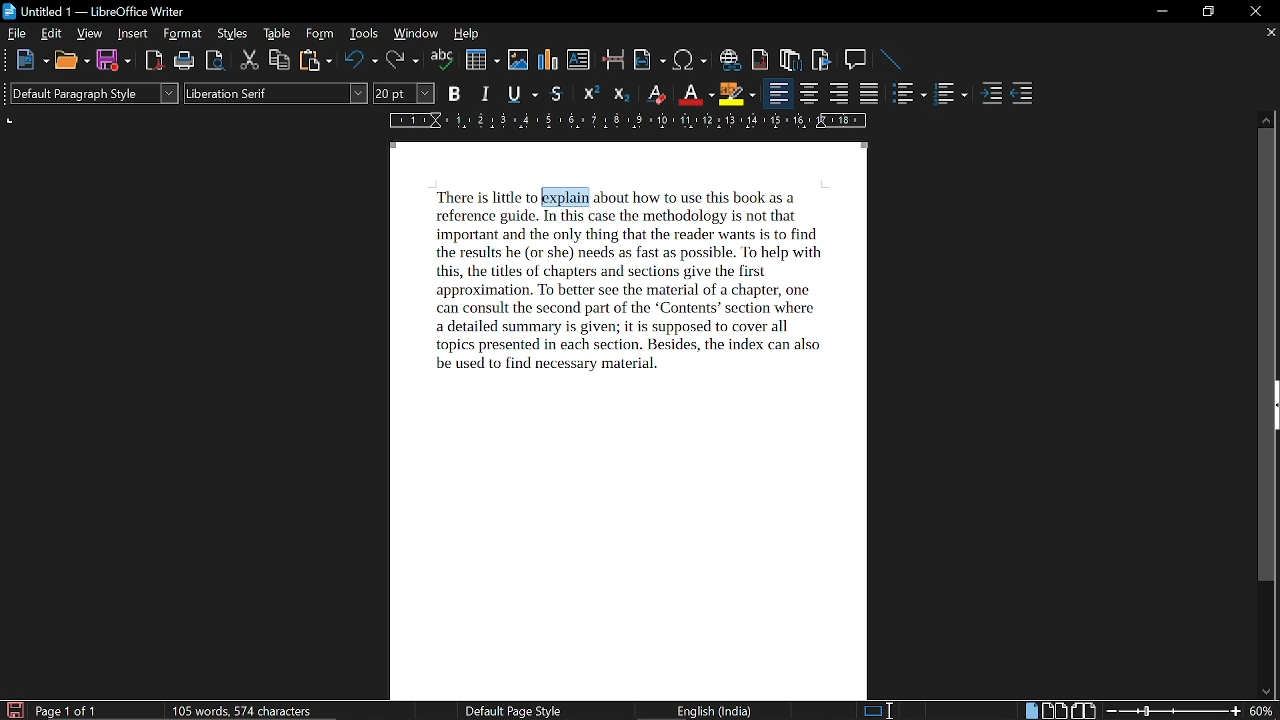  Describe the element at coordinates (521, 94) in the screenshot. I see `underline` at that location.